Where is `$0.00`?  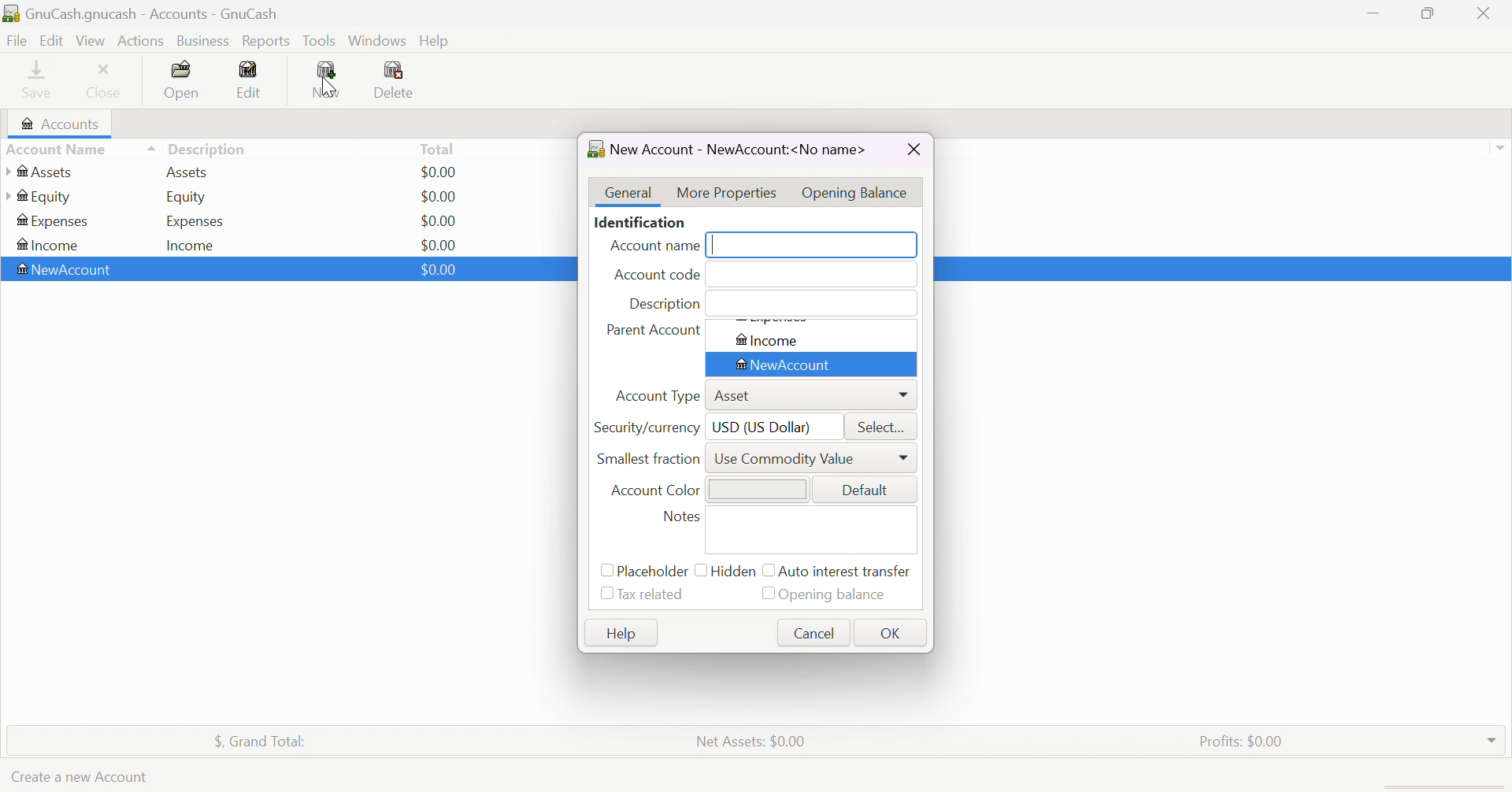 $0.00 is located at coordinates (439, 270).